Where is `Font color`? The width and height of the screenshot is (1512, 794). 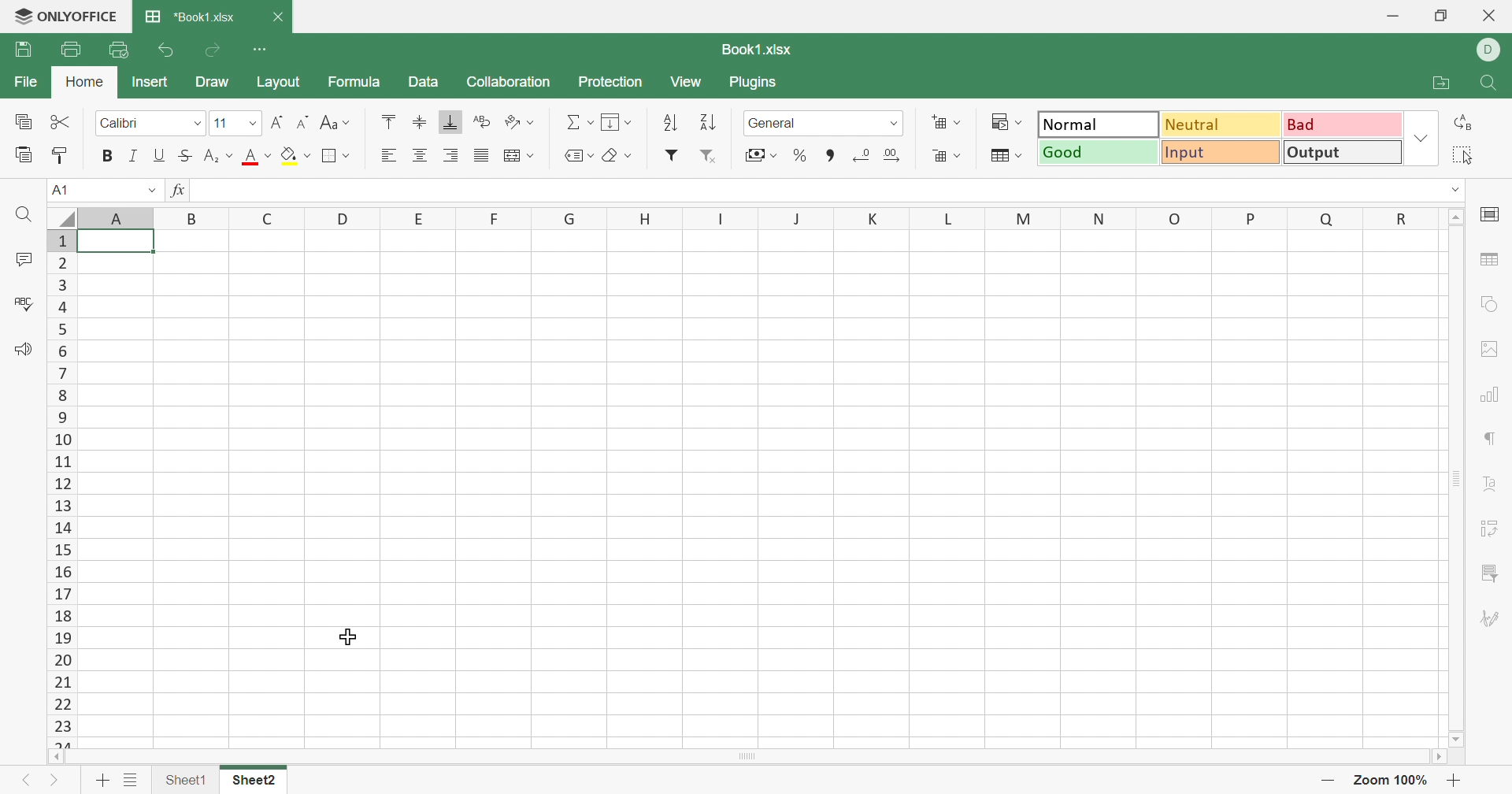
Font color is located at coordinates (249, 157).